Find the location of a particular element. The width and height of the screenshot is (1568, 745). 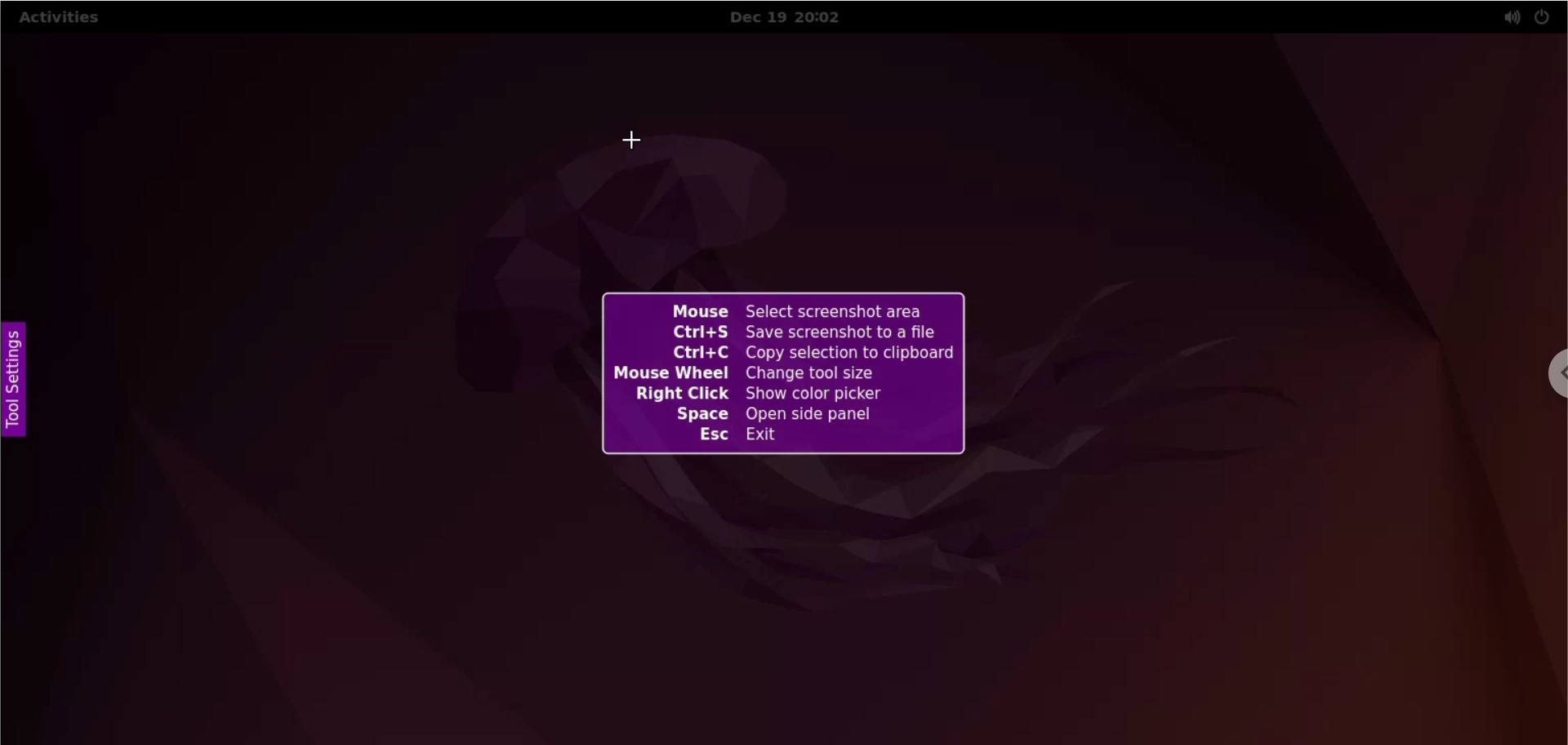

sound settings options is located at coordinates (1508, 19).